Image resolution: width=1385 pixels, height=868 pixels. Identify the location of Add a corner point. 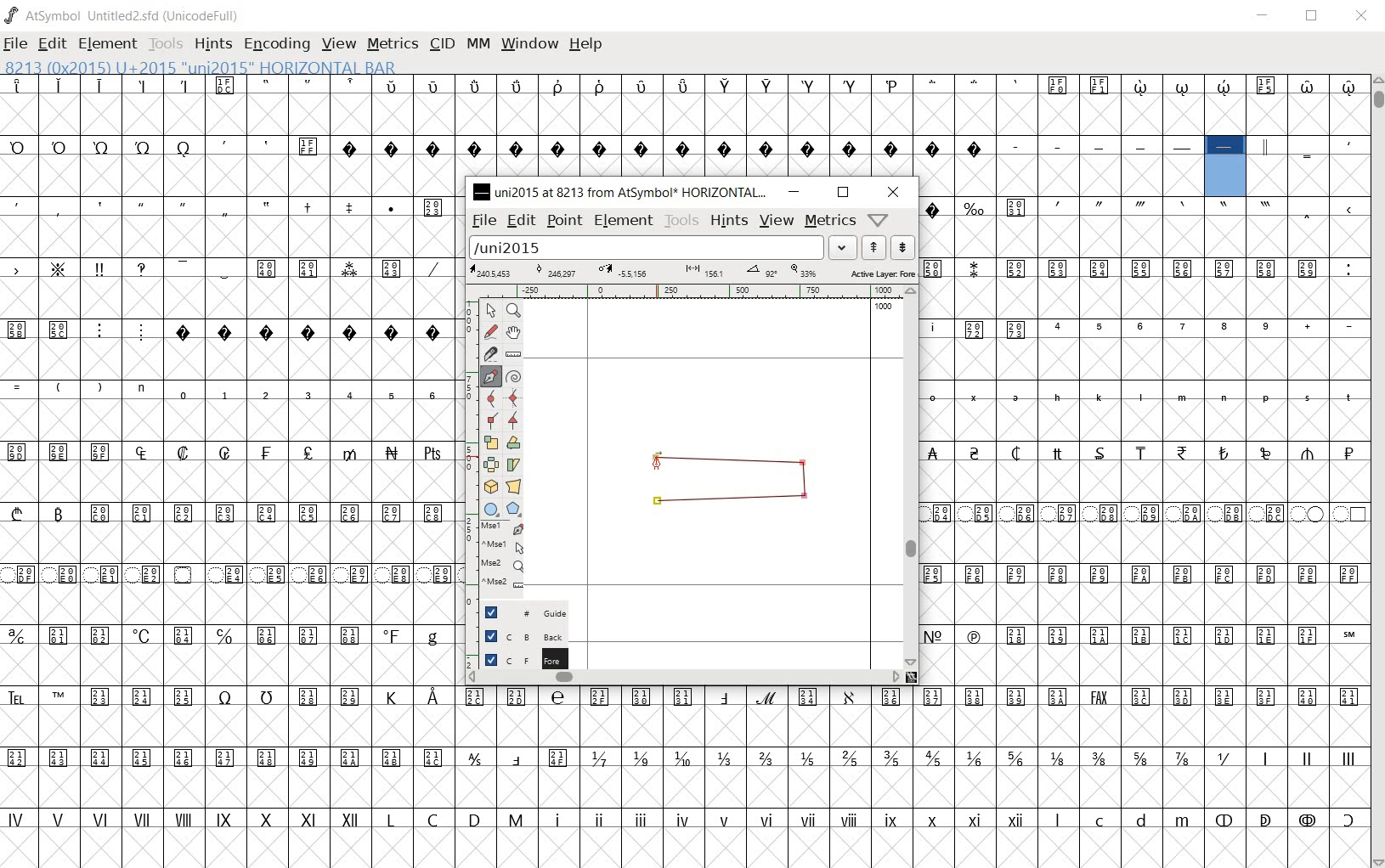
(490, 421).